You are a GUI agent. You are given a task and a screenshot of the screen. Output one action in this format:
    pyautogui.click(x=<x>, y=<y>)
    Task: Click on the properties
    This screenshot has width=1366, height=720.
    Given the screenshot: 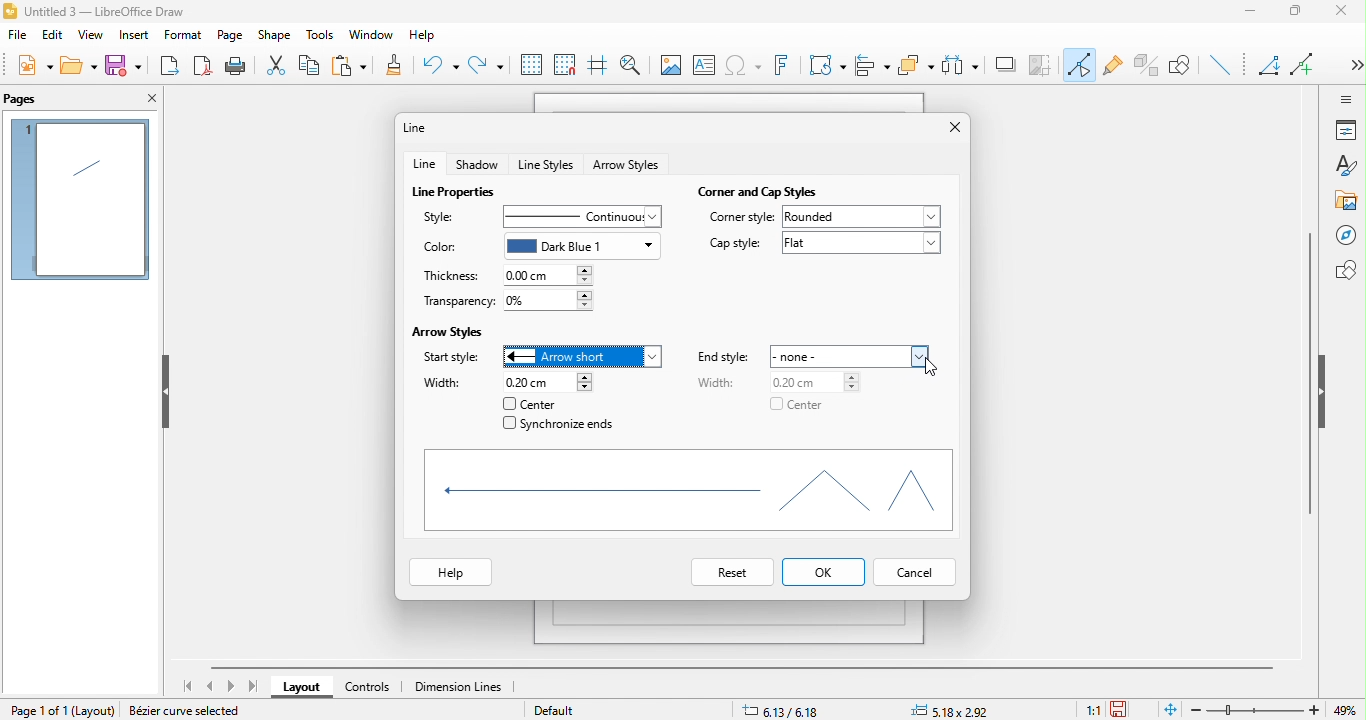 What is the action you would take?
    pyautogui.click(x=1346, y=130)
    